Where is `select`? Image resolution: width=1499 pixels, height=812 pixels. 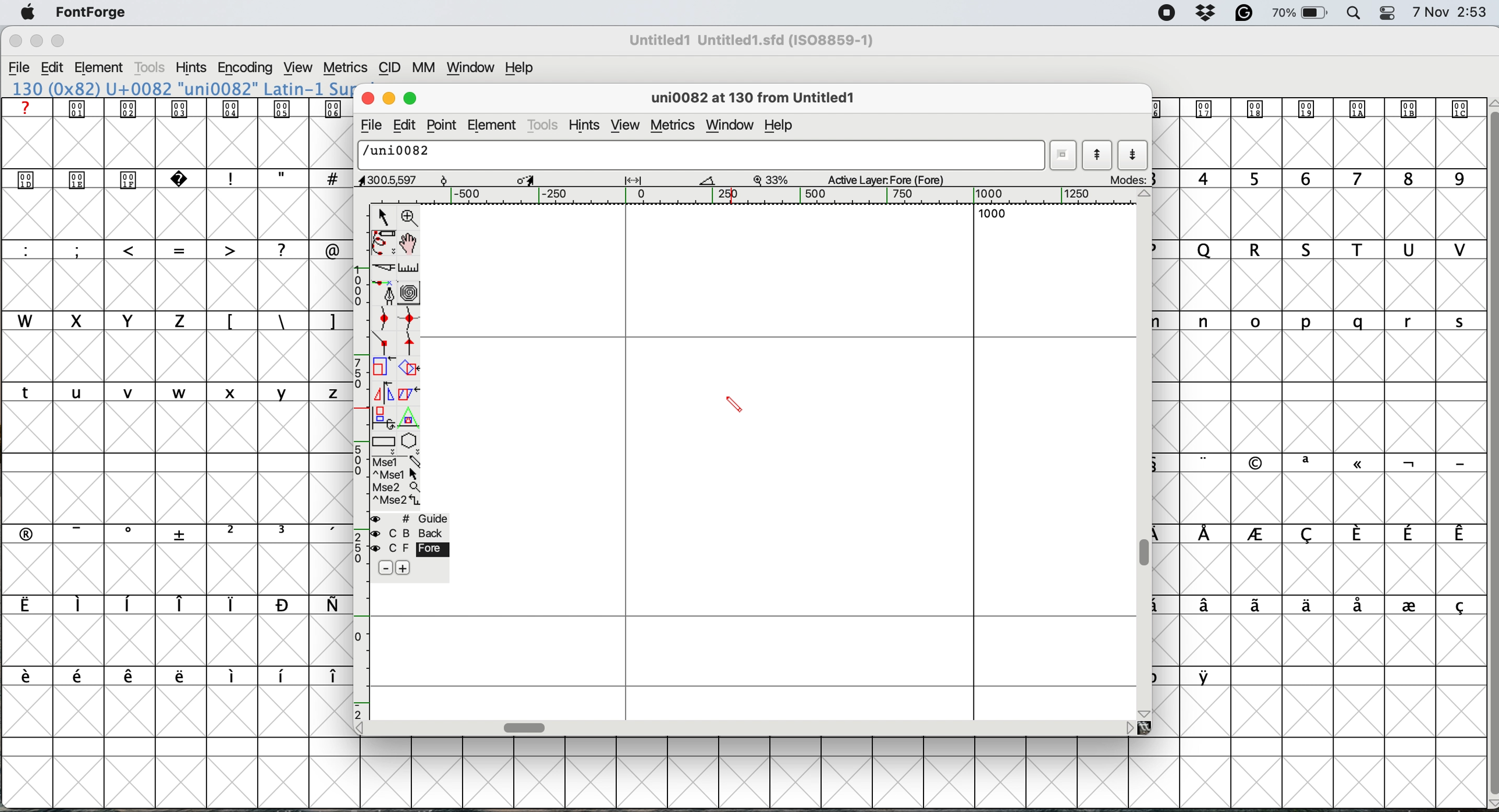 select is located at coordinates (384, 215).